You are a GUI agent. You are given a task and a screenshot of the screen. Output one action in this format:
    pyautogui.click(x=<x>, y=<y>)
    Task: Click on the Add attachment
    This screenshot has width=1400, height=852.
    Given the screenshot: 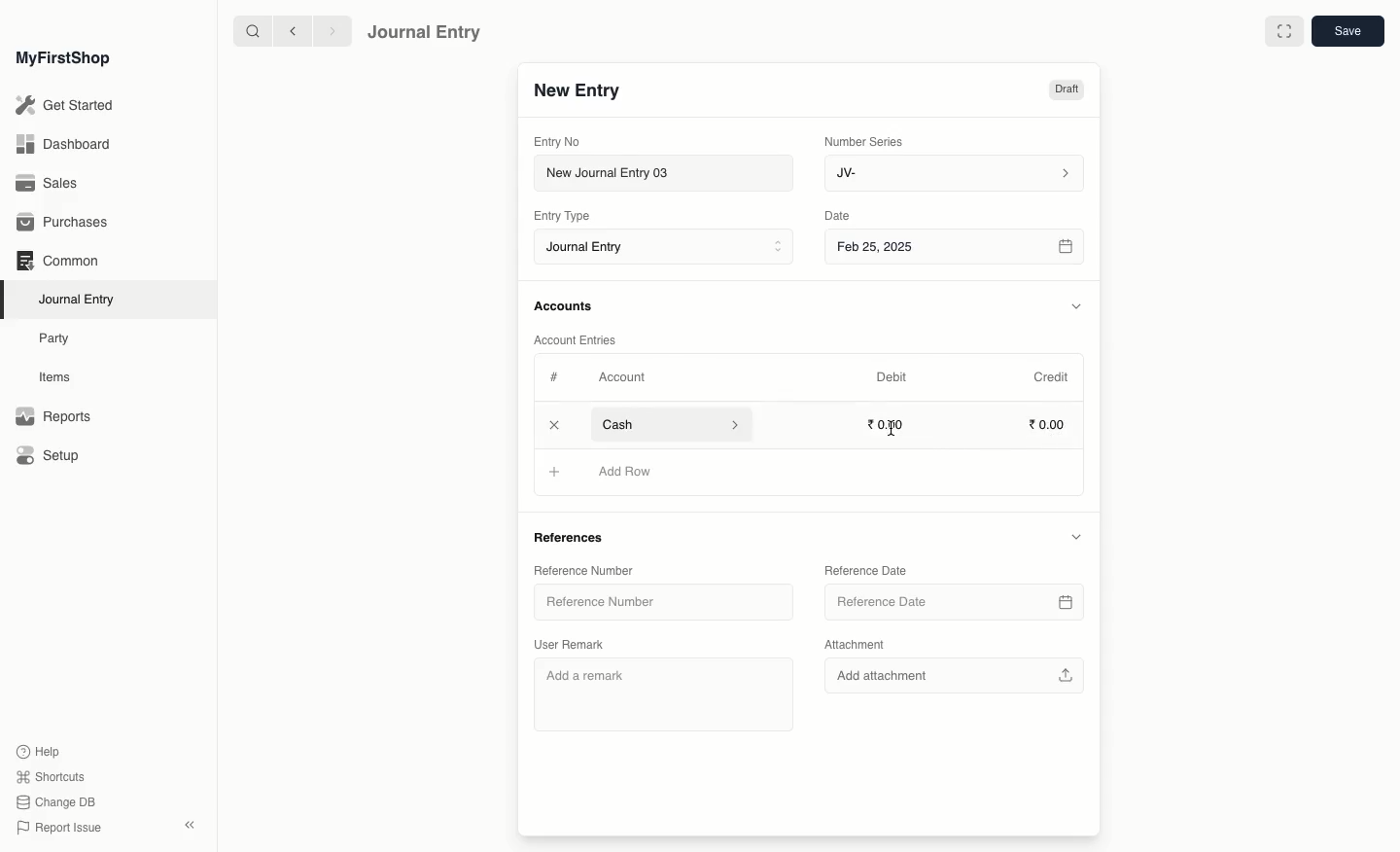 What is the action you would take?
    pyautogui.click(x=957, y=675)
    